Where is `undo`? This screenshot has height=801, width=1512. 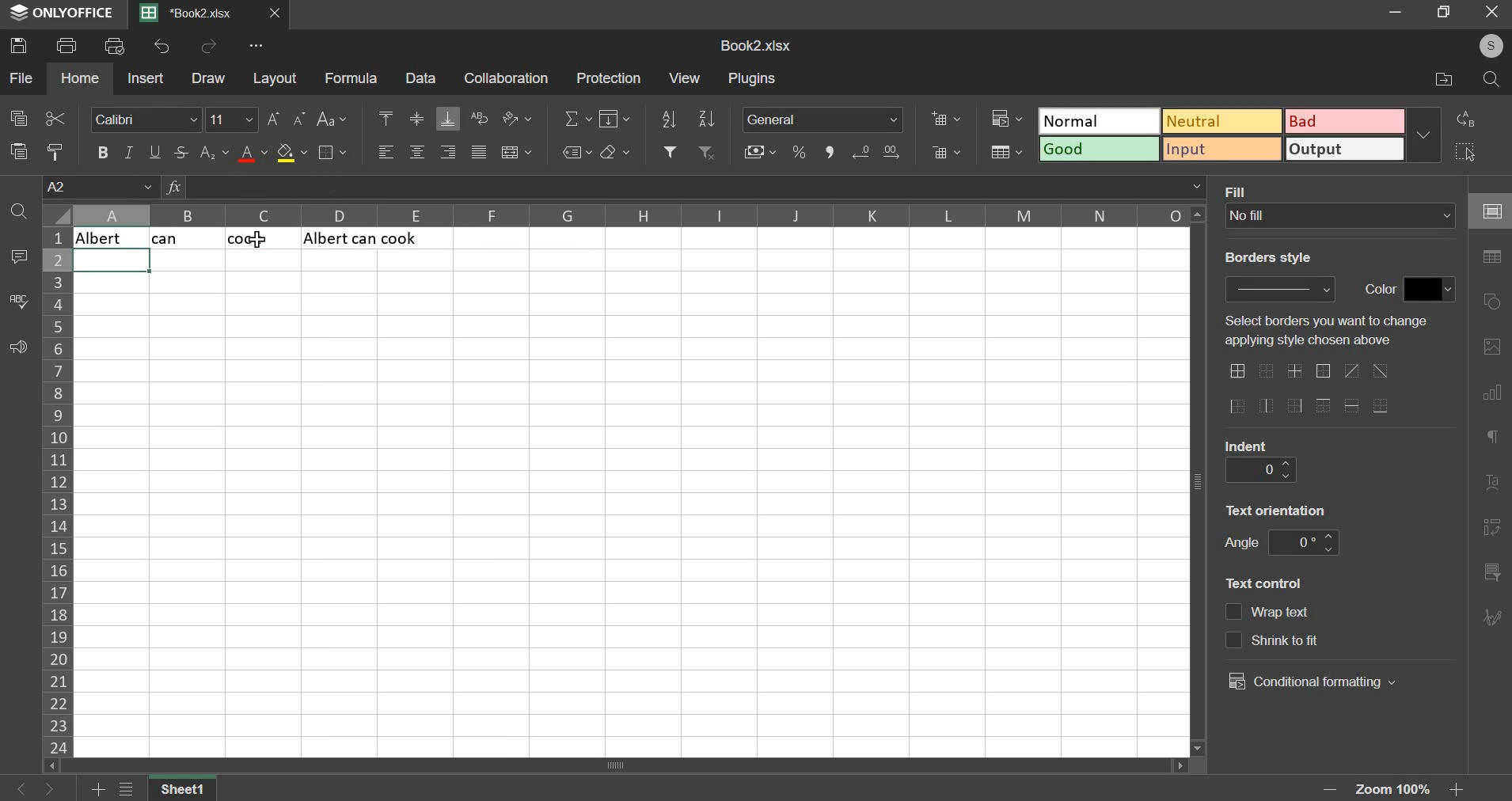
undo is located at coordinates (161, 46).